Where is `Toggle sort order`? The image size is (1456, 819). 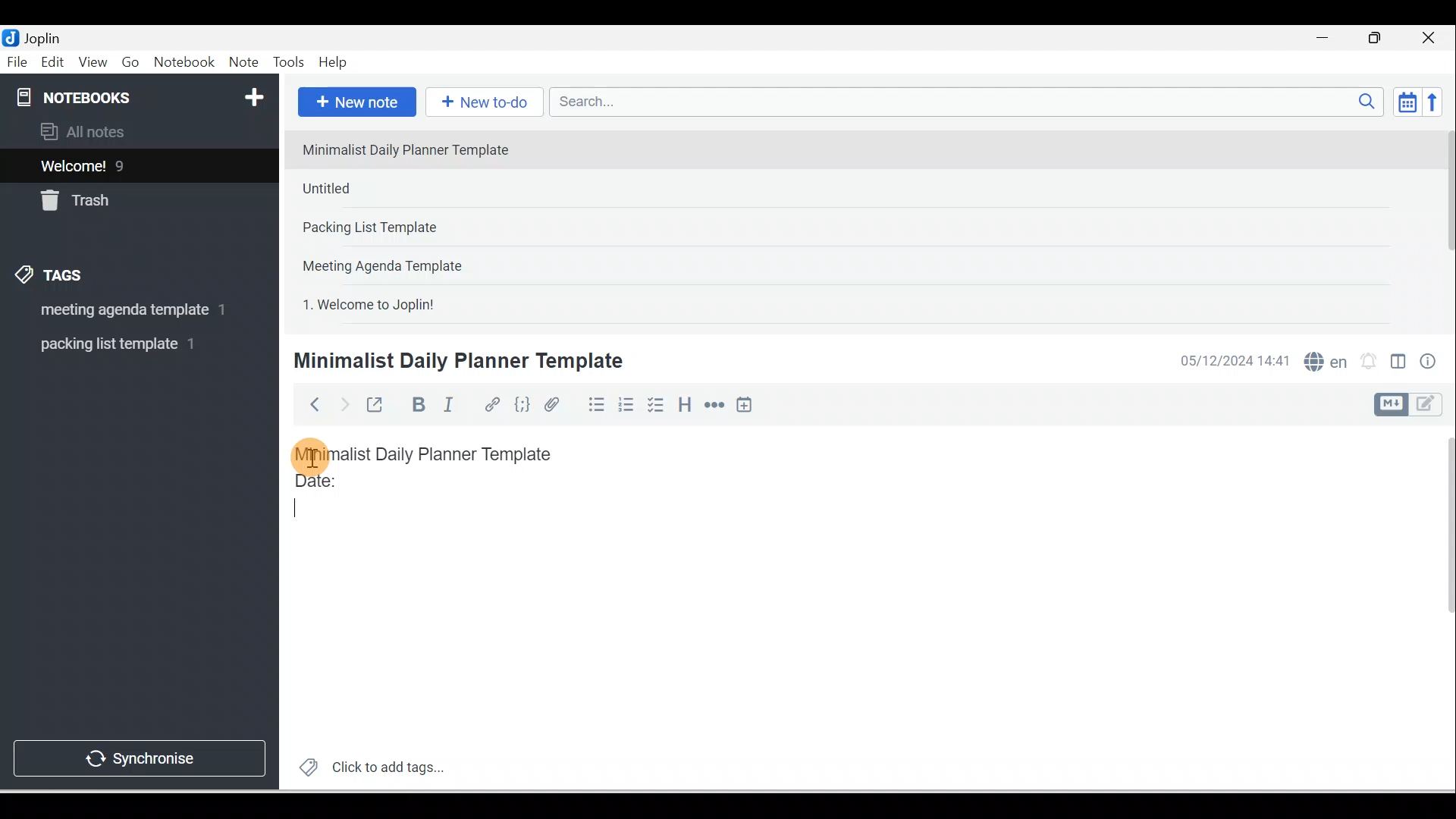
Toggle sort order is located at coordinates (1407, 101).